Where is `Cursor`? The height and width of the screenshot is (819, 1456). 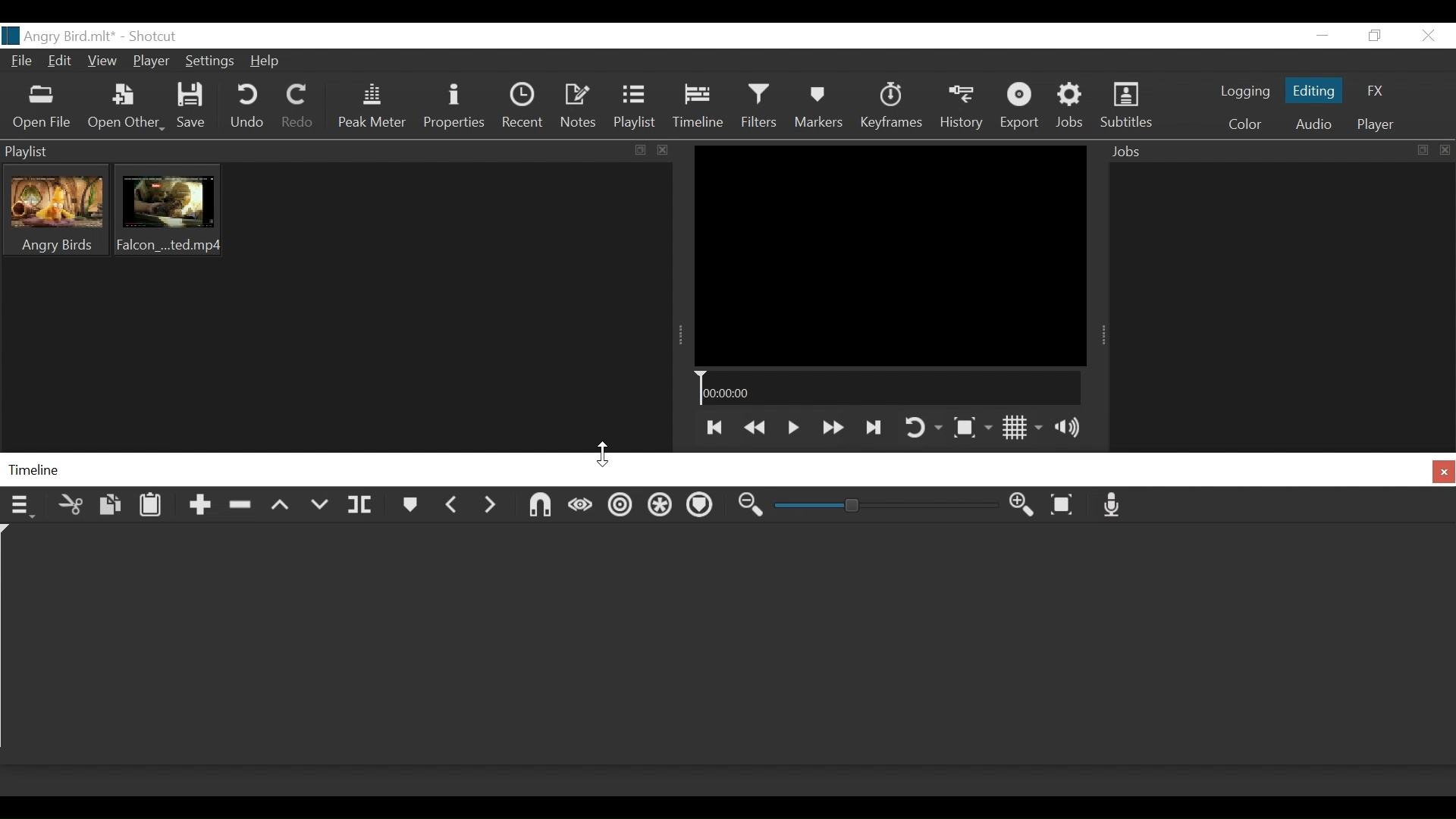
Cursor is located at coordinates (607, 451).